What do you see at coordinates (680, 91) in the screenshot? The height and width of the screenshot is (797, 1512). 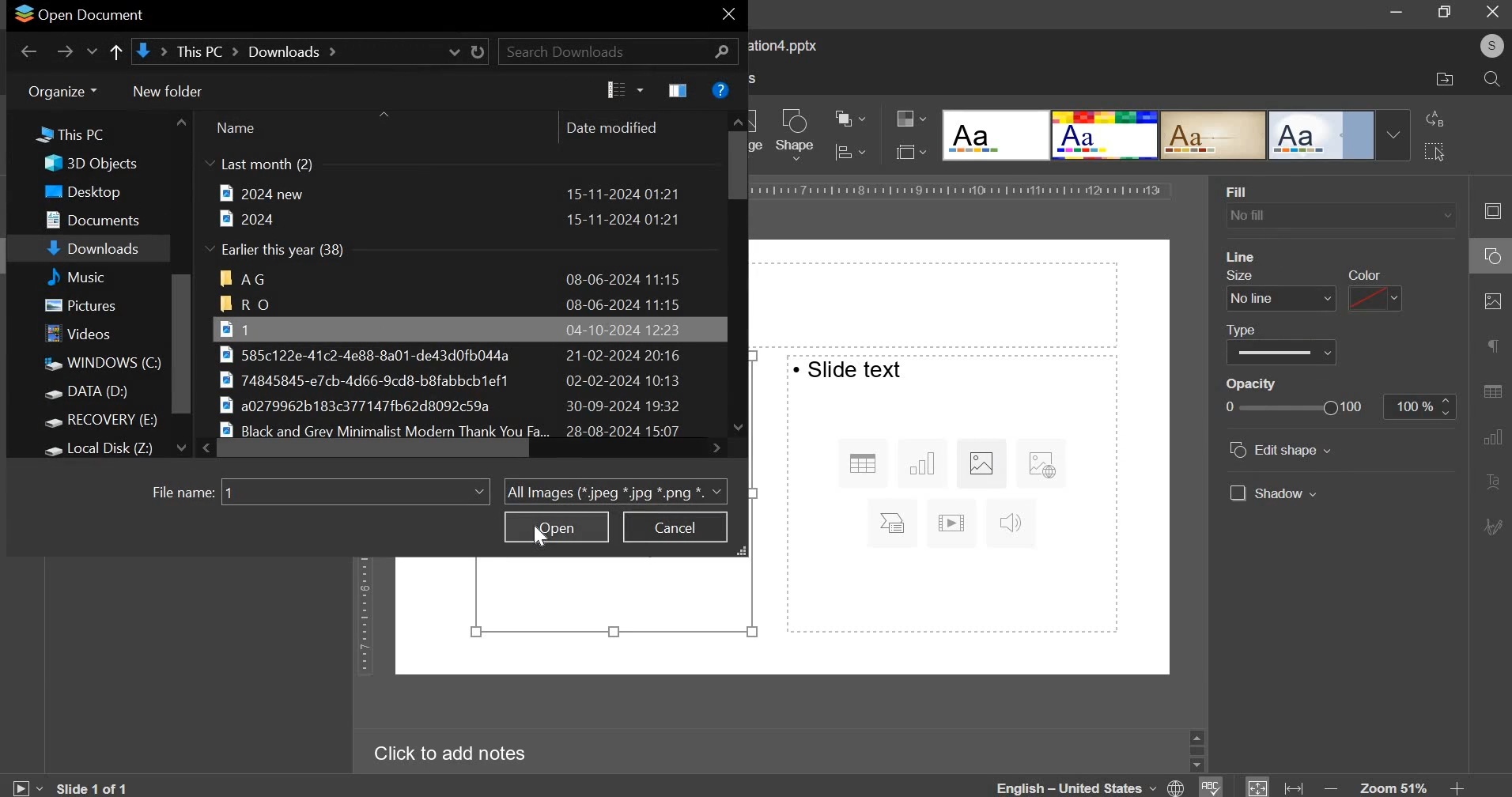 I see `show the preview pane` at bounding box center [680, 91].